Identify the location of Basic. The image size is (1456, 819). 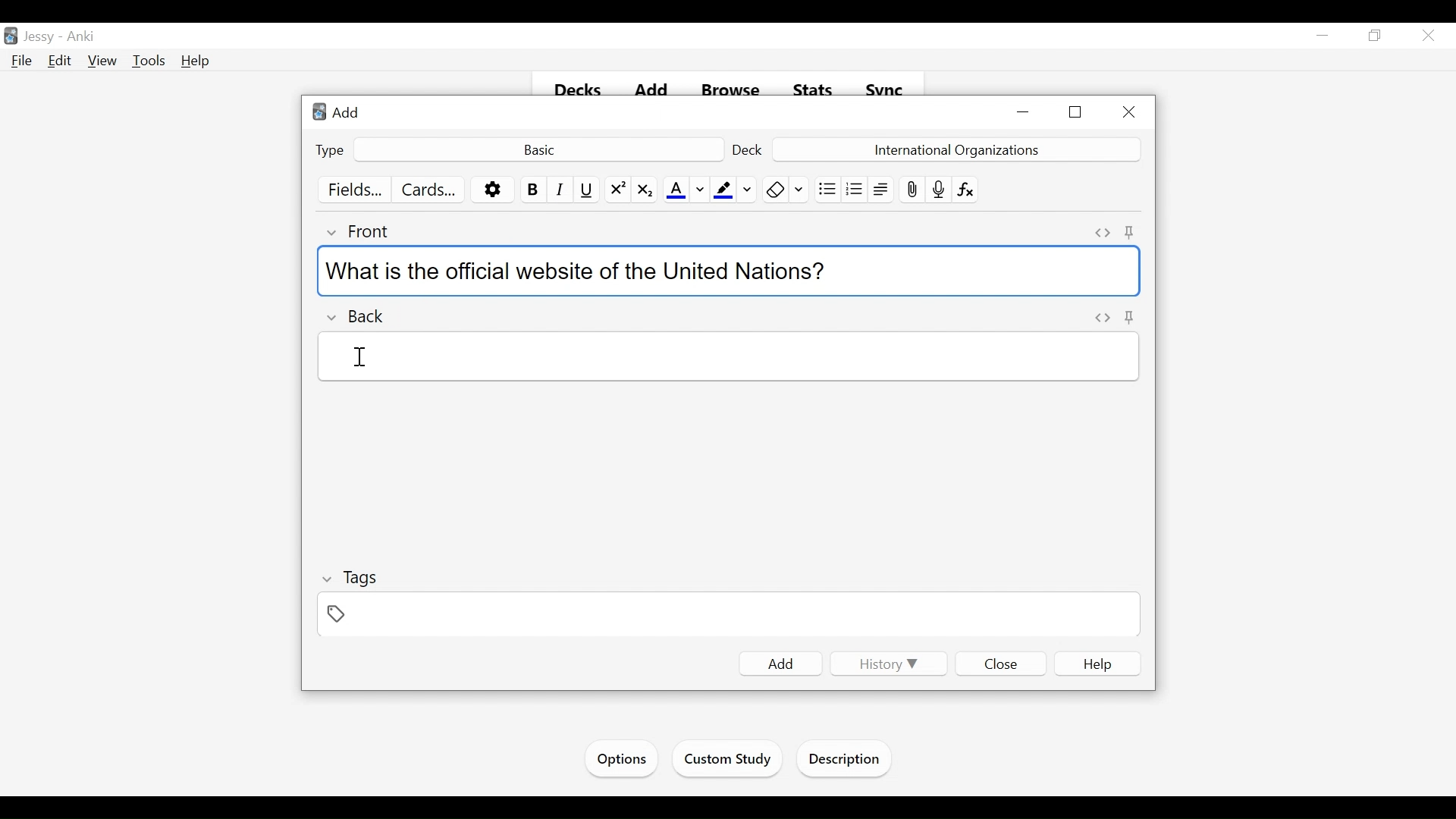
(540, 149).